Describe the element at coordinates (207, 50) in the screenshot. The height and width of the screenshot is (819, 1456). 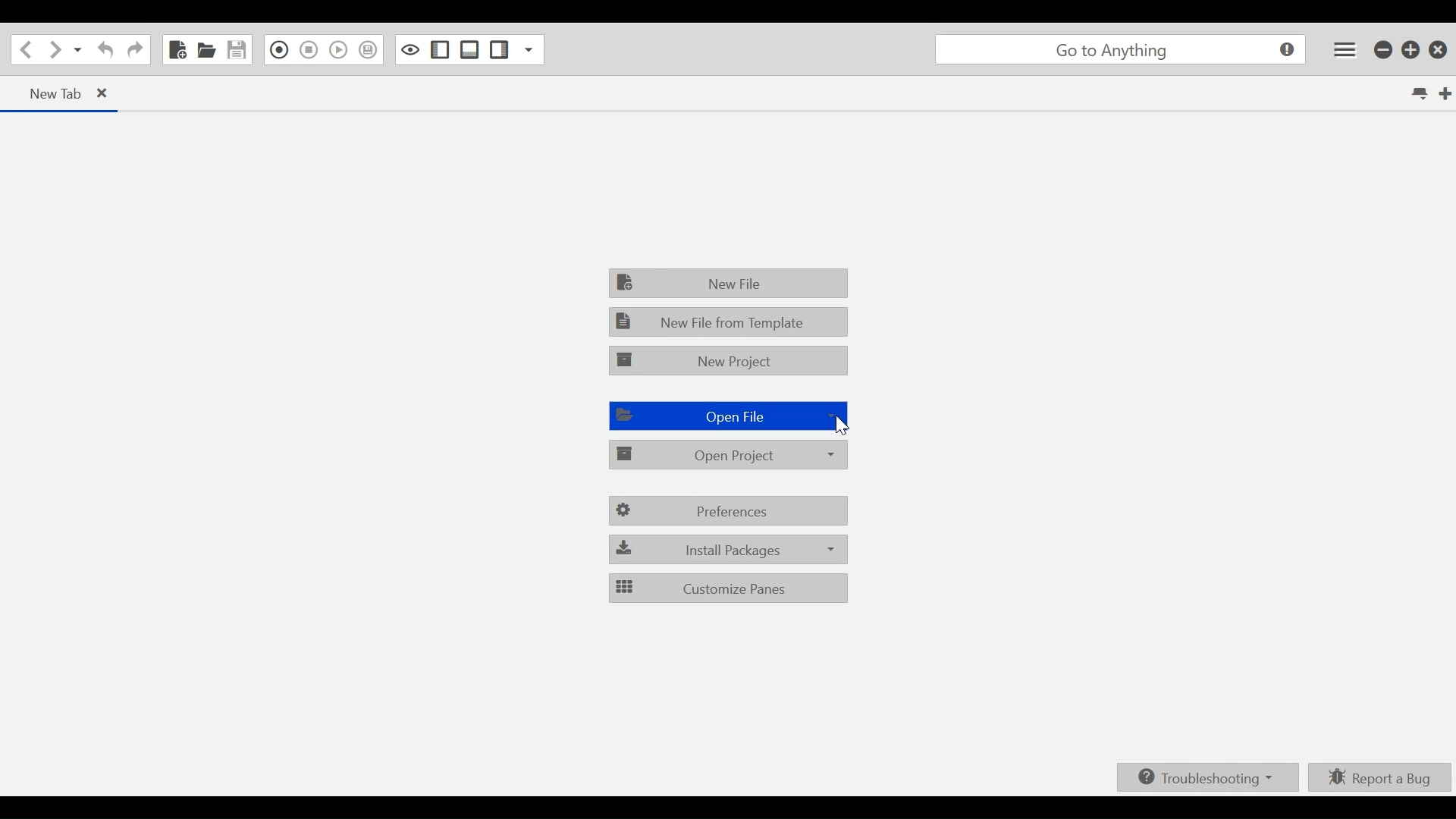
I see `Open` at that location.